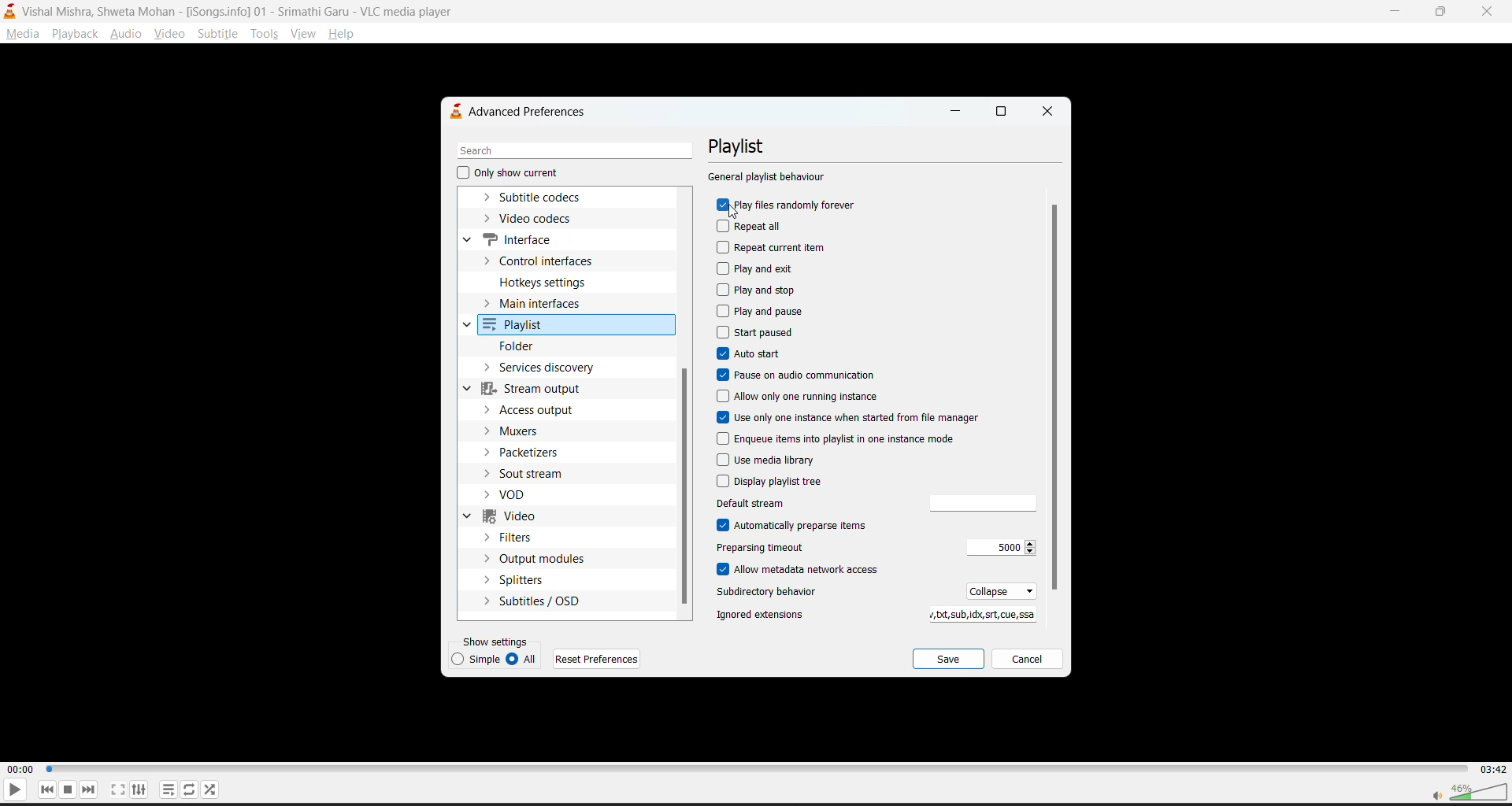  Describe the element at coordinates (525, 113) in the screenshot. I see `advanced preferences` at that location.